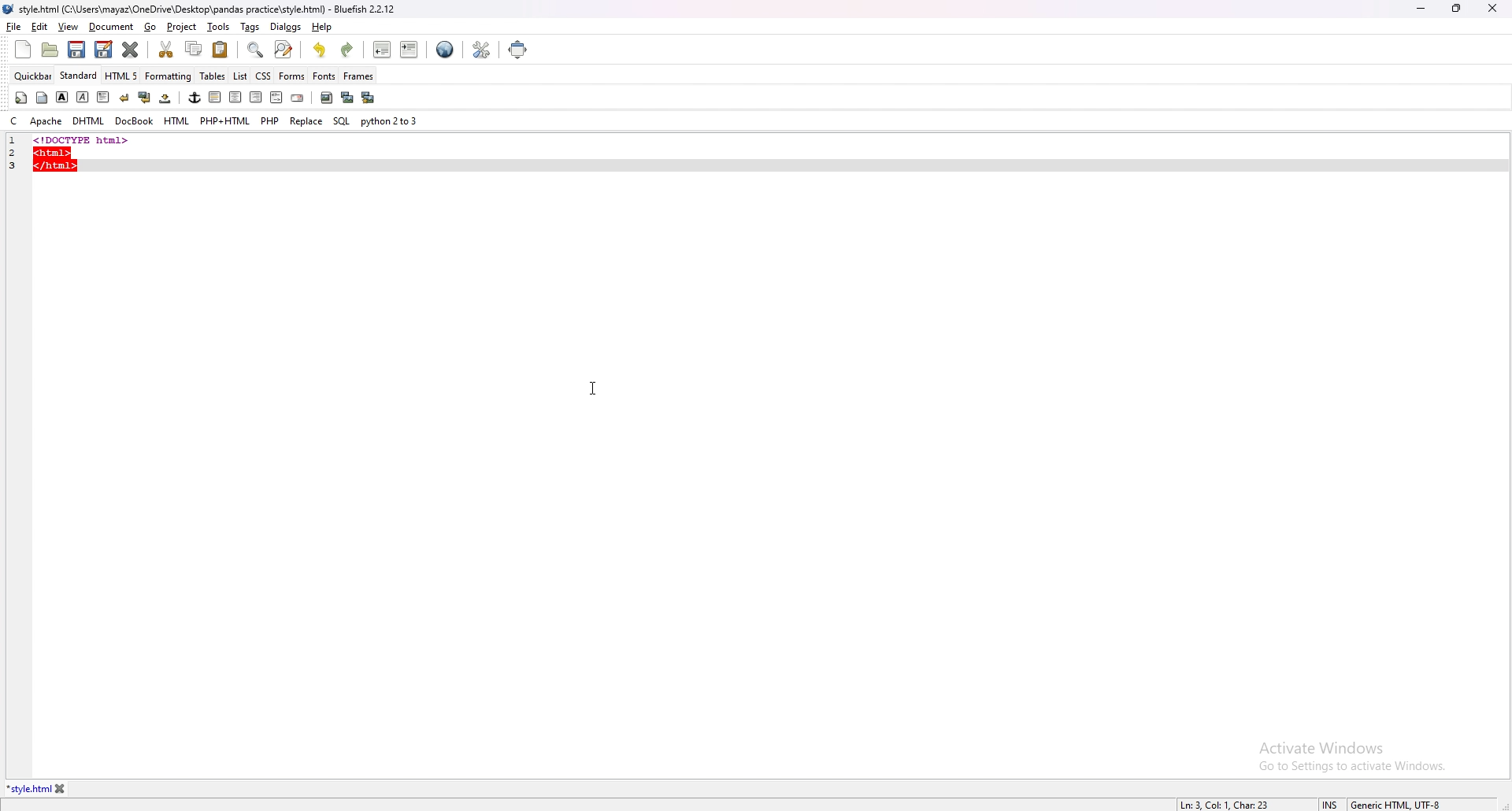  I want to click on line number, so click(17, 165).